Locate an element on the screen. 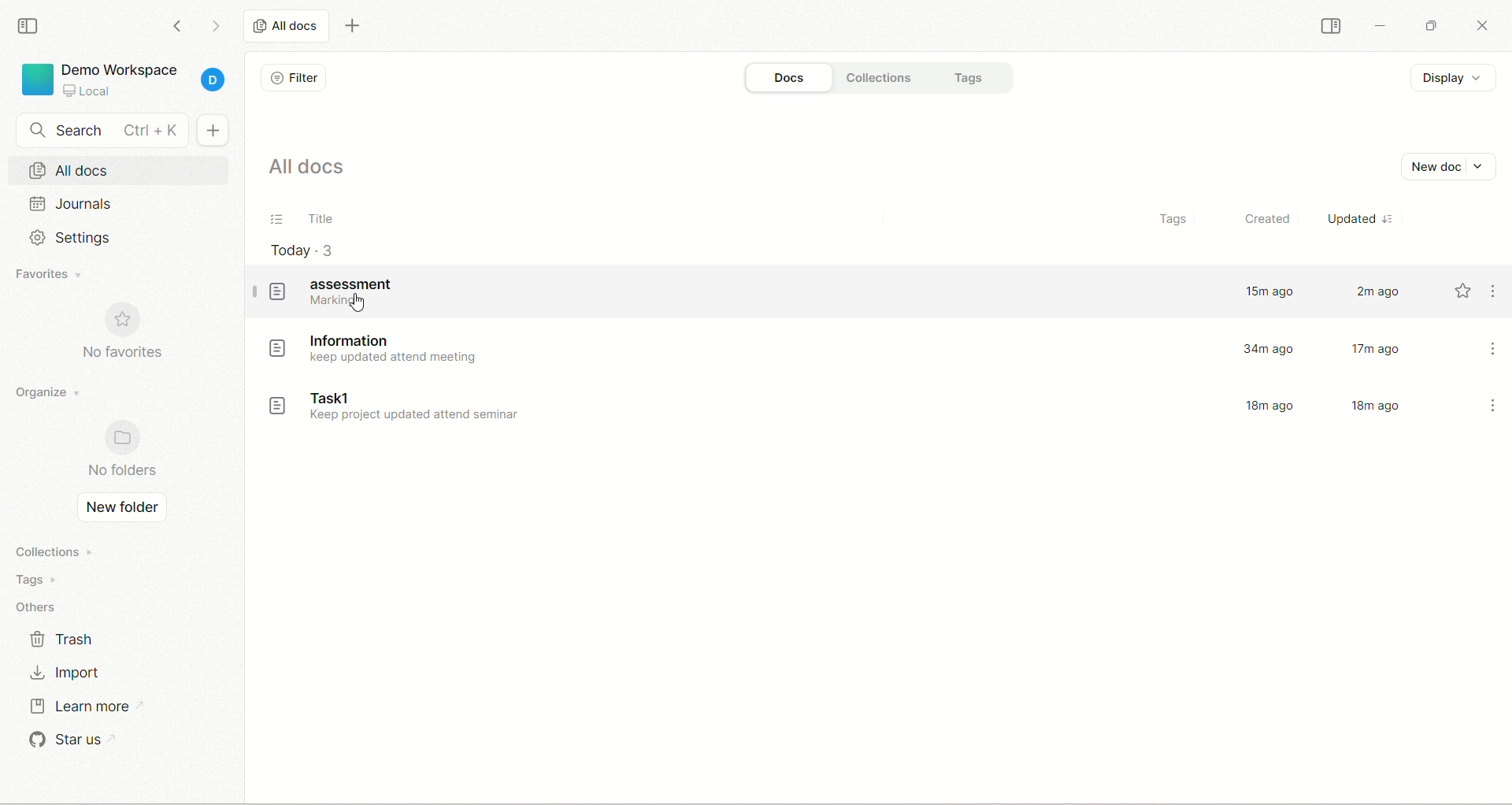  15m ago is located at coordinates (1270, 293).